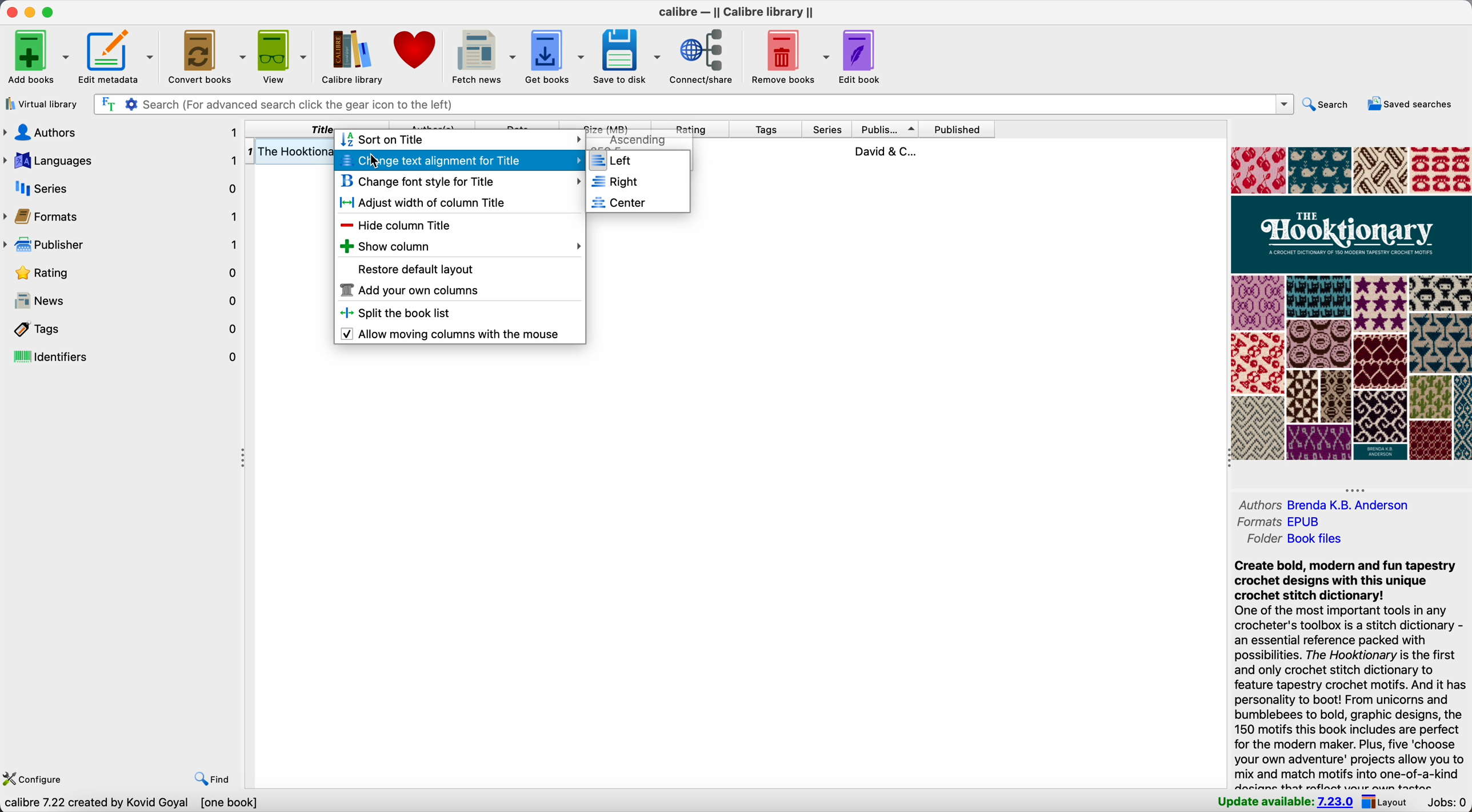  What do you see at coordinates (638, 182) in the screenshot?
I see `right` at bounding box center [638, 182].